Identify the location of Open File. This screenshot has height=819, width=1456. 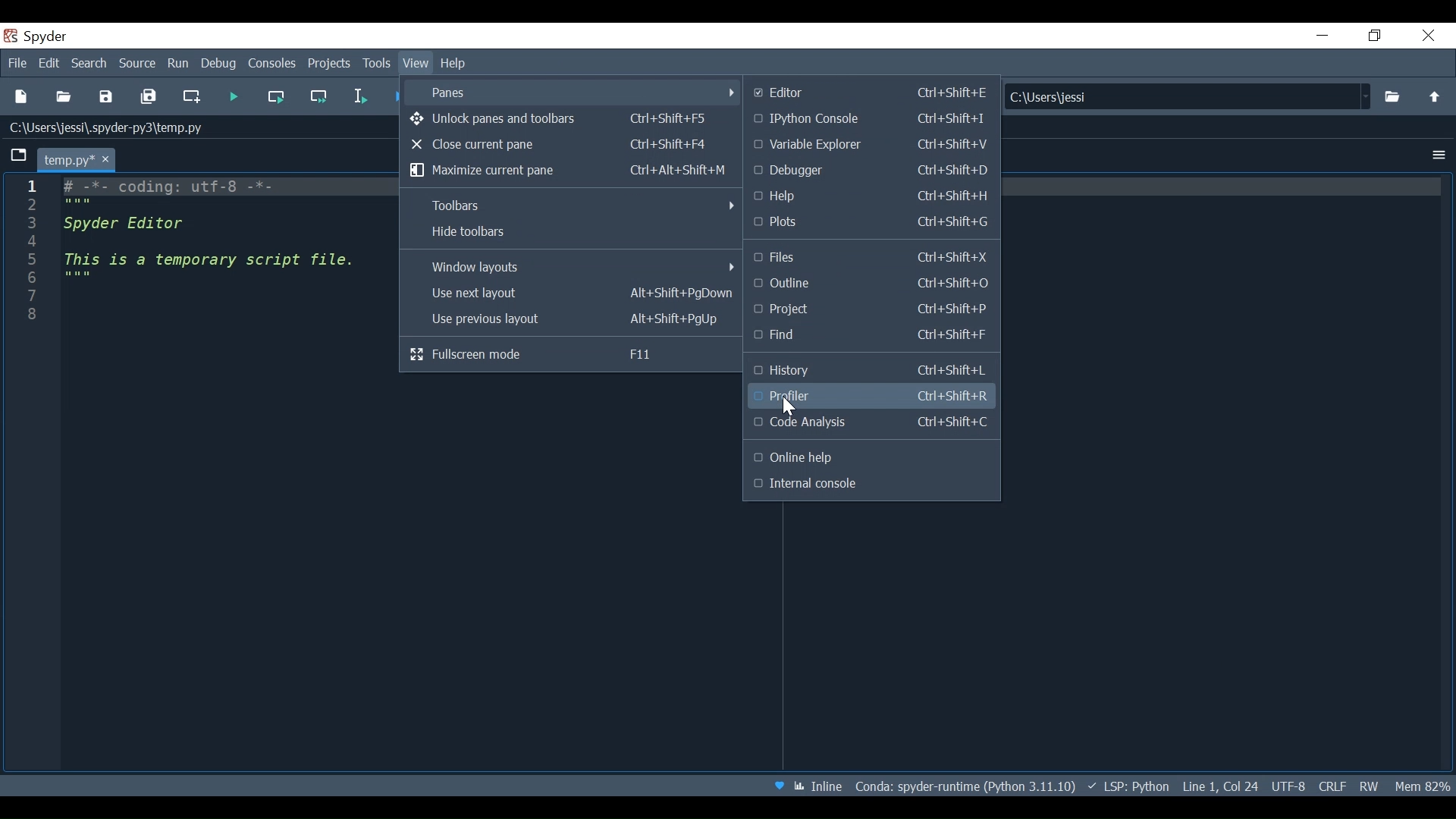
(63, 98).